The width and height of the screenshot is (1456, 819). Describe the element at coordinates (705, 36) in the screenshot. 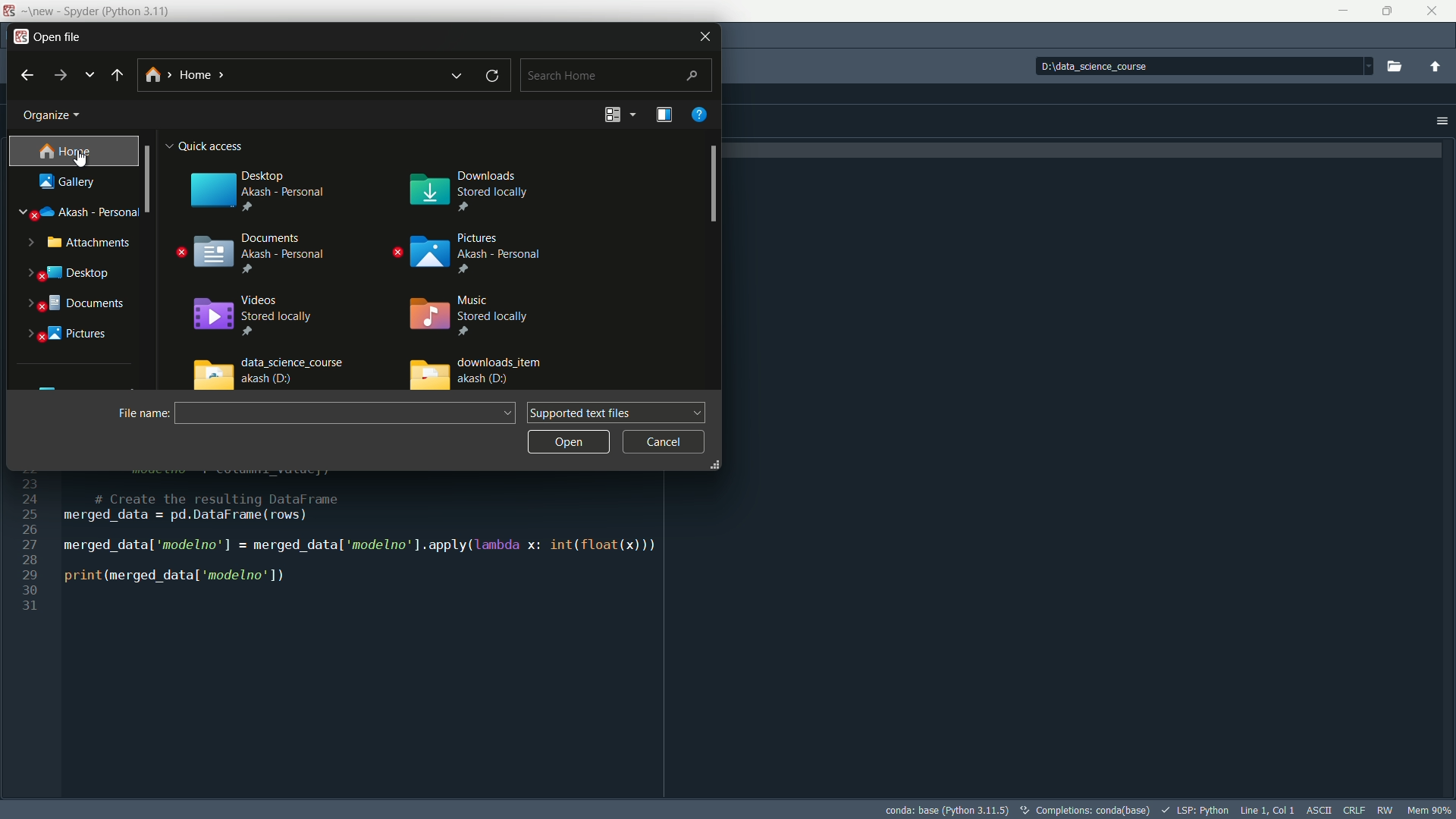

I see `close` at that location.